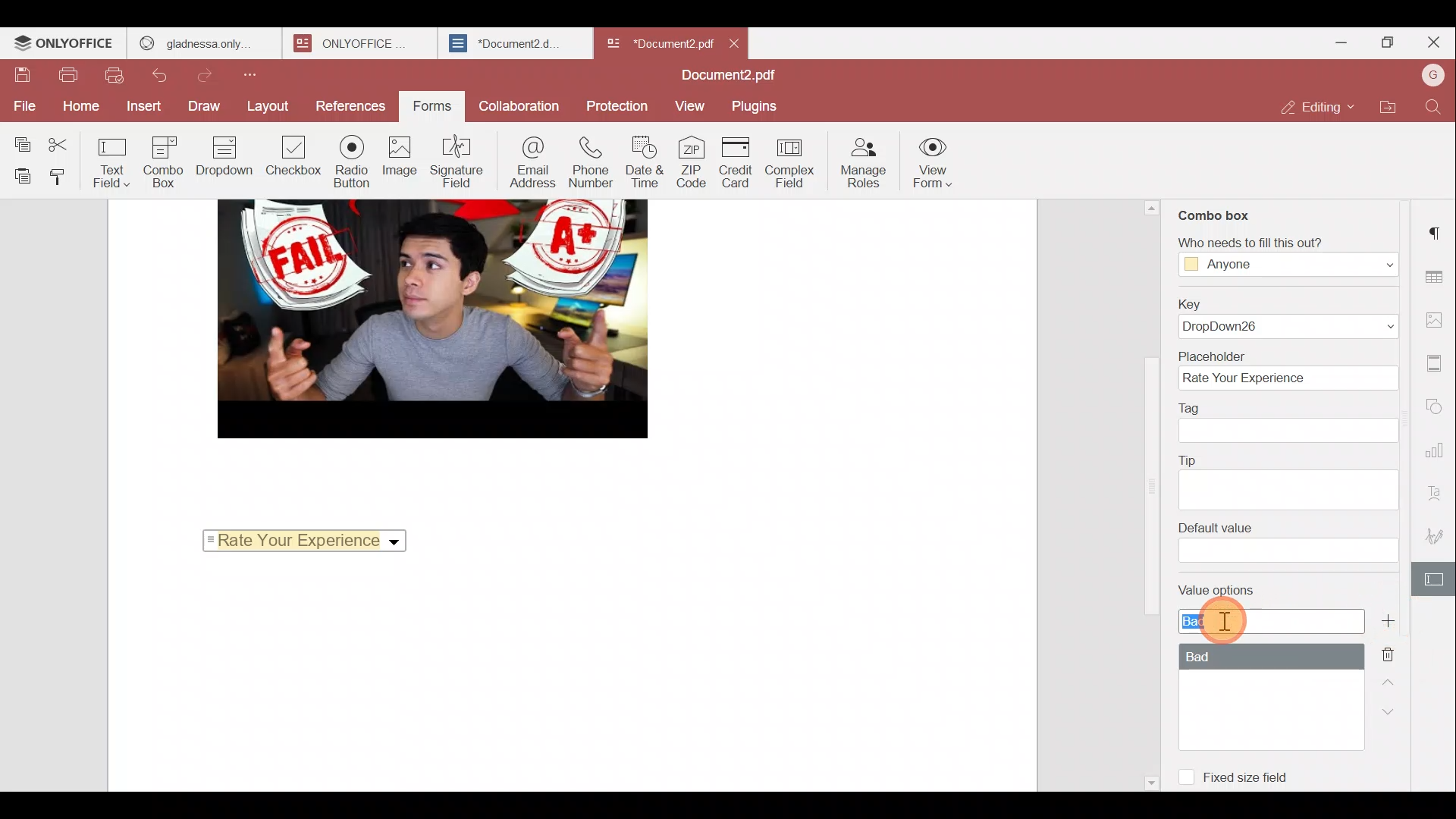 The height and width of the screenshot is (819, 1456). Describe the element at coordinates (1437, 321) in the screenshot. I see `Image settings` at that location.